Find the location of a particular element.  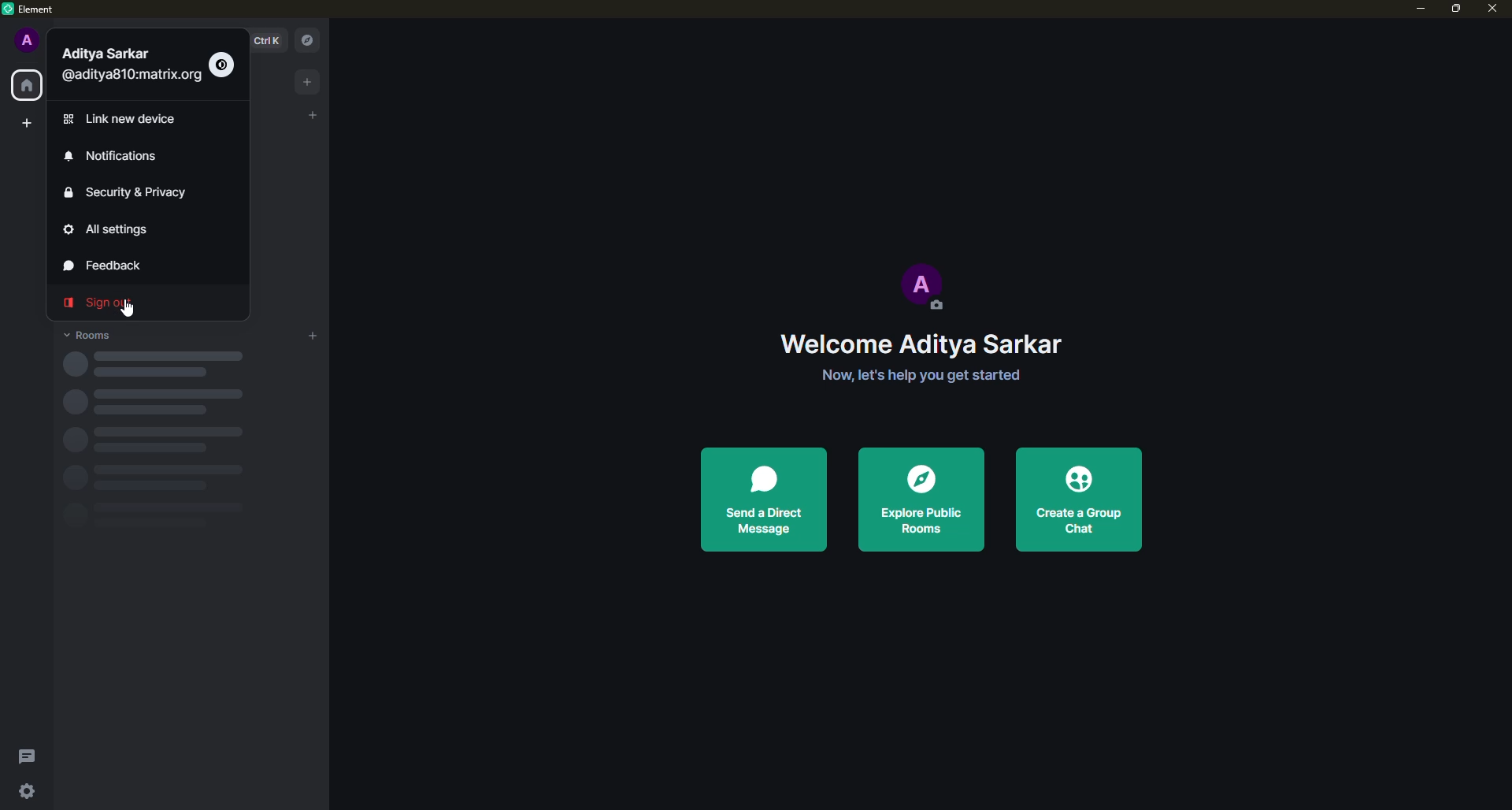

settings and privacy is located at coordinates (132, 193).